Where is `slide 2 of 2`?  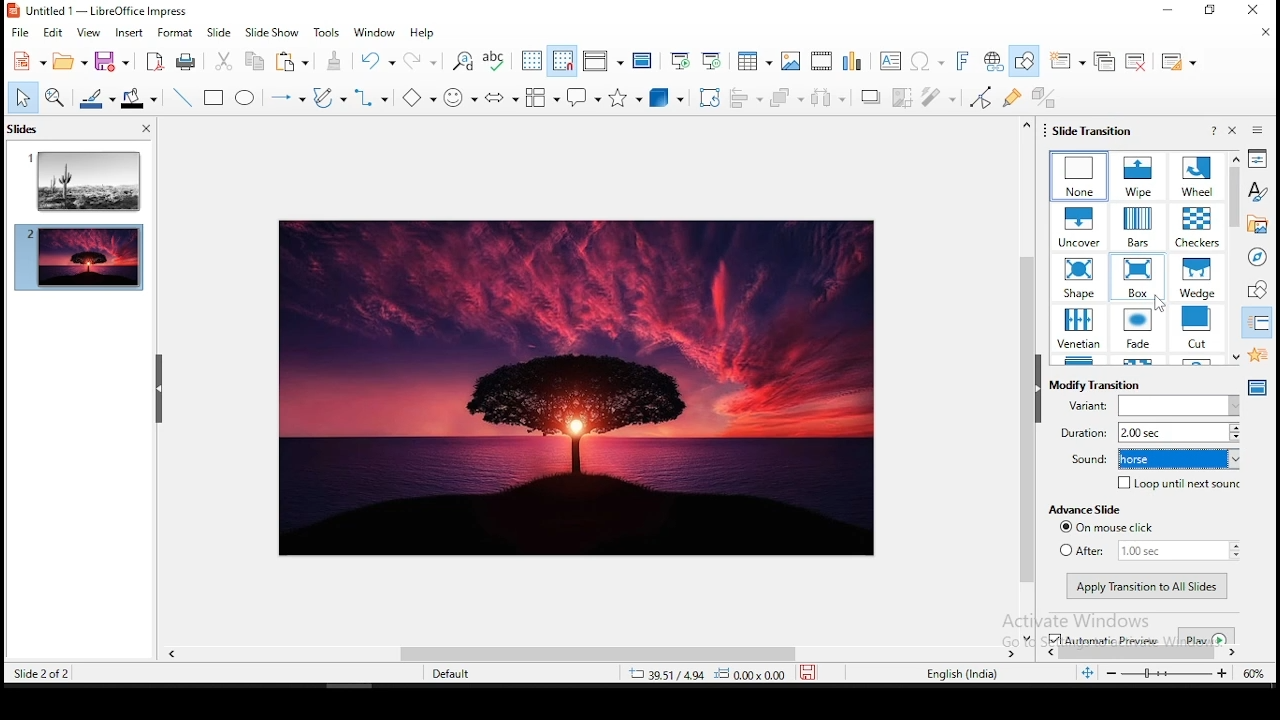
slide 2 of 2 is located at coordinates (40, 676).